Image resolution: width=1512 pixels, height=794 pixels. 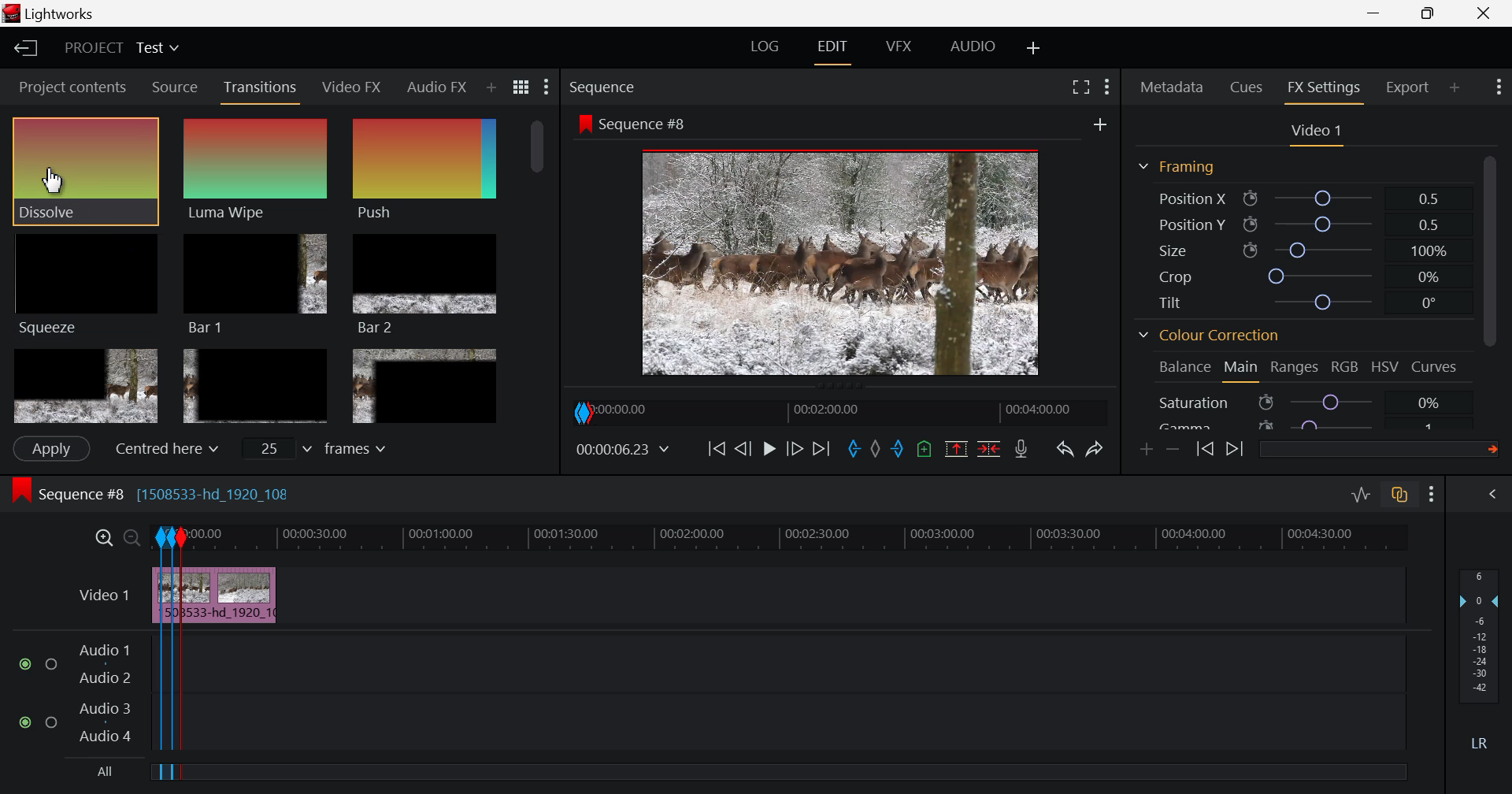 I want to click on VFX, so click(x=899, y=46).